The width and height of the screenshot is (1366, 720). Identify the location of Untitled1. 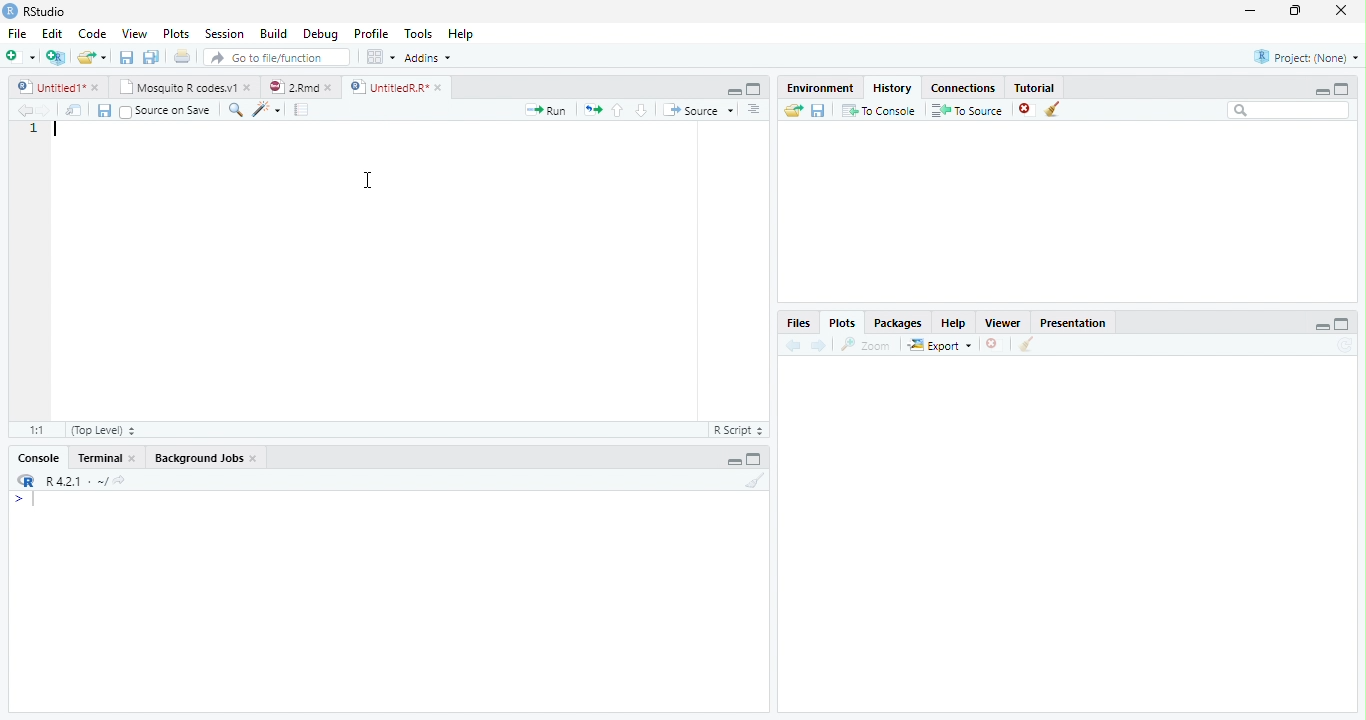
(46, 87).